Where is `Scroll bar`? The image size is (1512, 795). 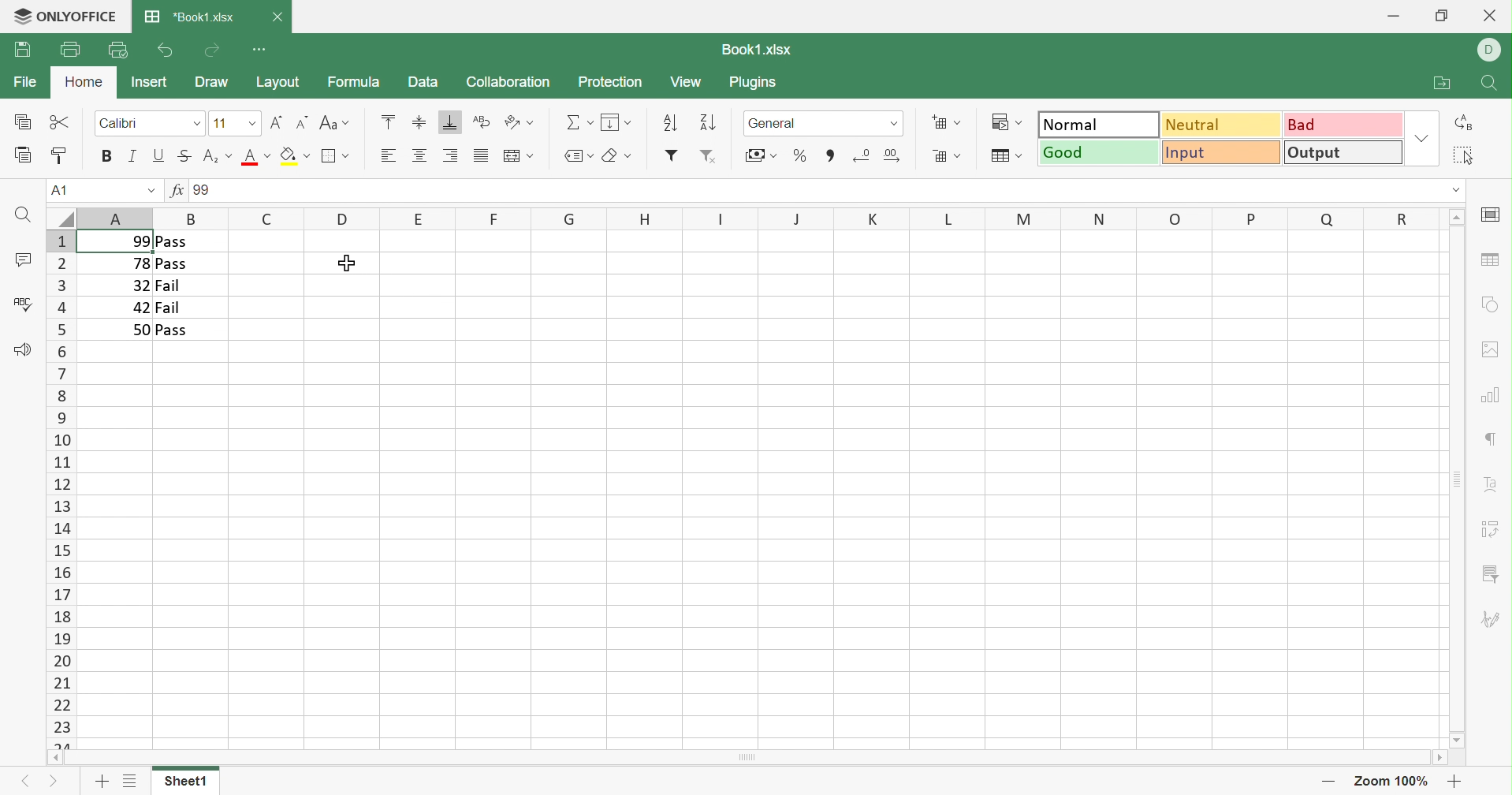 Scroll bar is located at coordinates (1456, 479).